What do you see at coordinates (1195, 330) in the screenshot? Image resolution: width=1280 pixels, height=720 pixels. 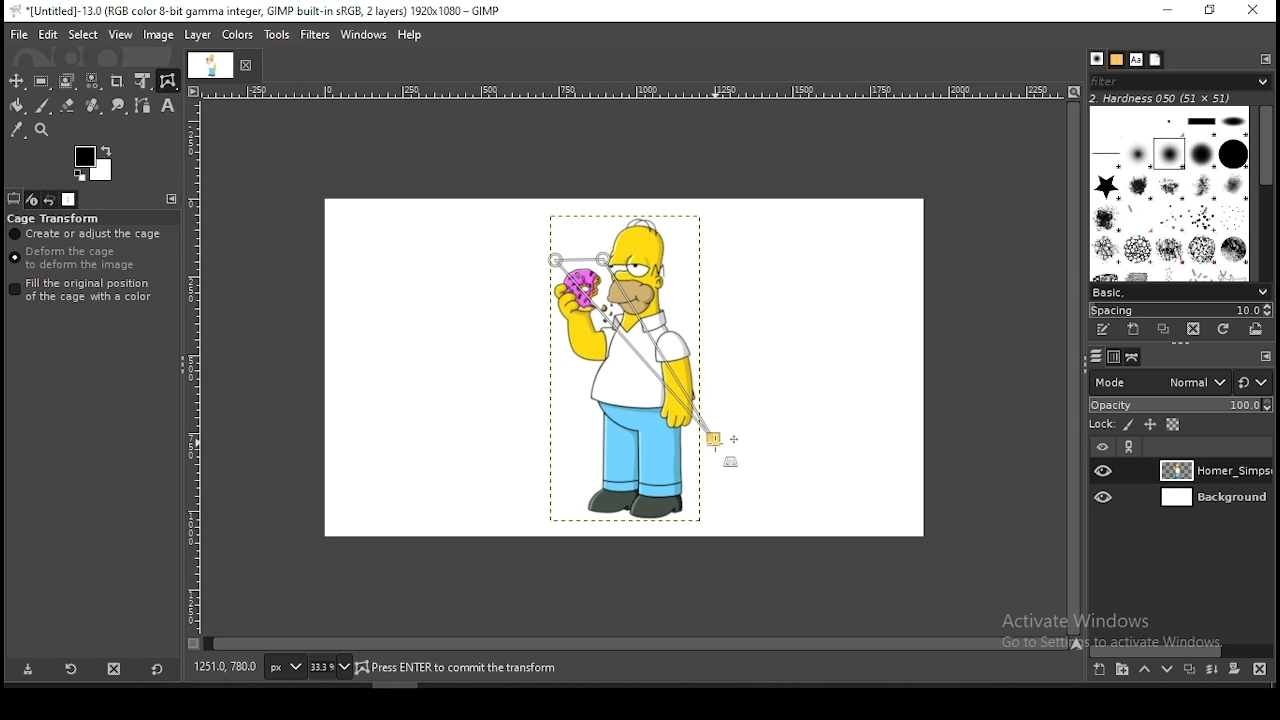 I see `delete brush` at bounding box center [1195, 330].